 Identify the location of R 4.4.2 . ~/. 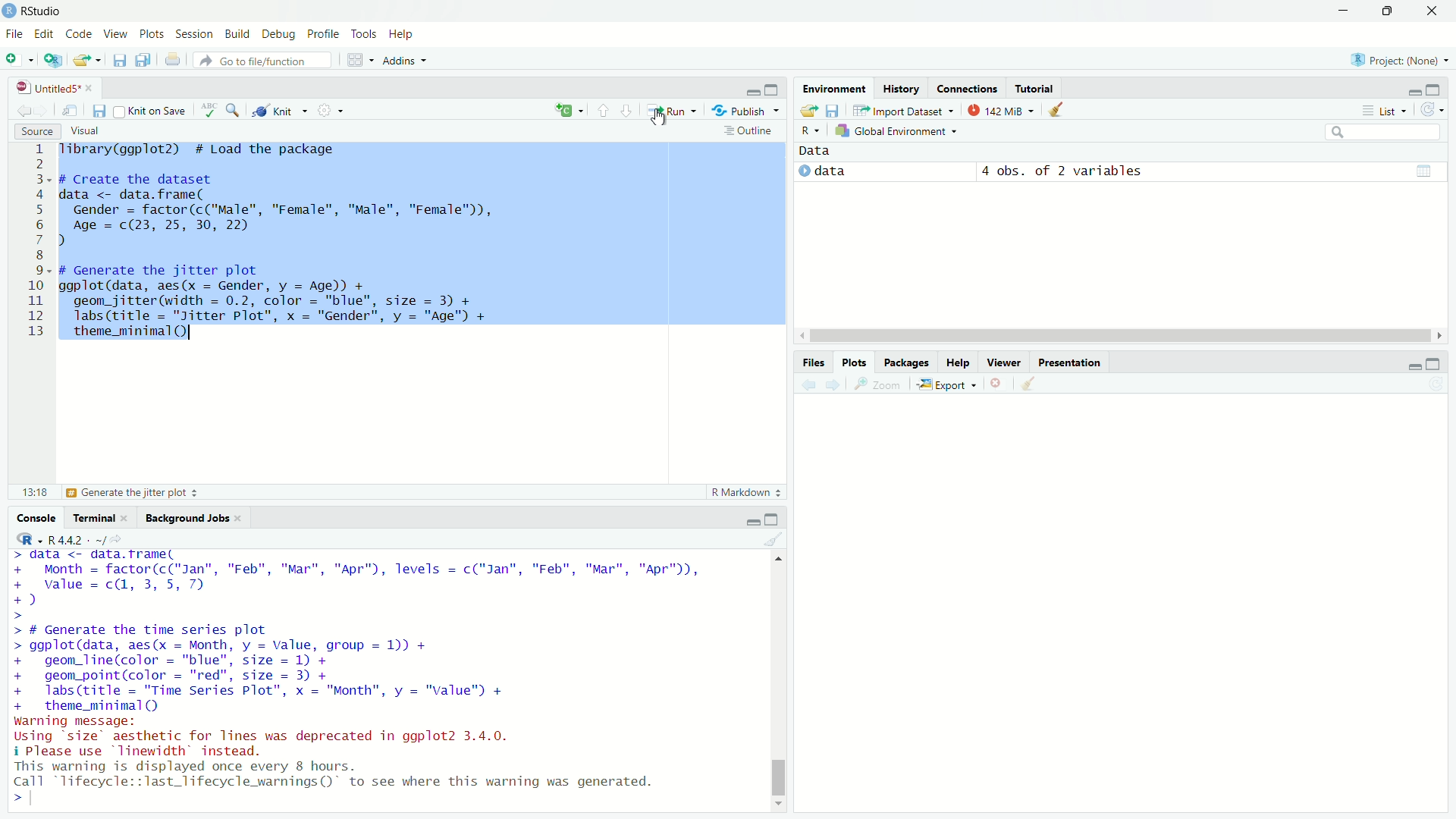
(77, 539).